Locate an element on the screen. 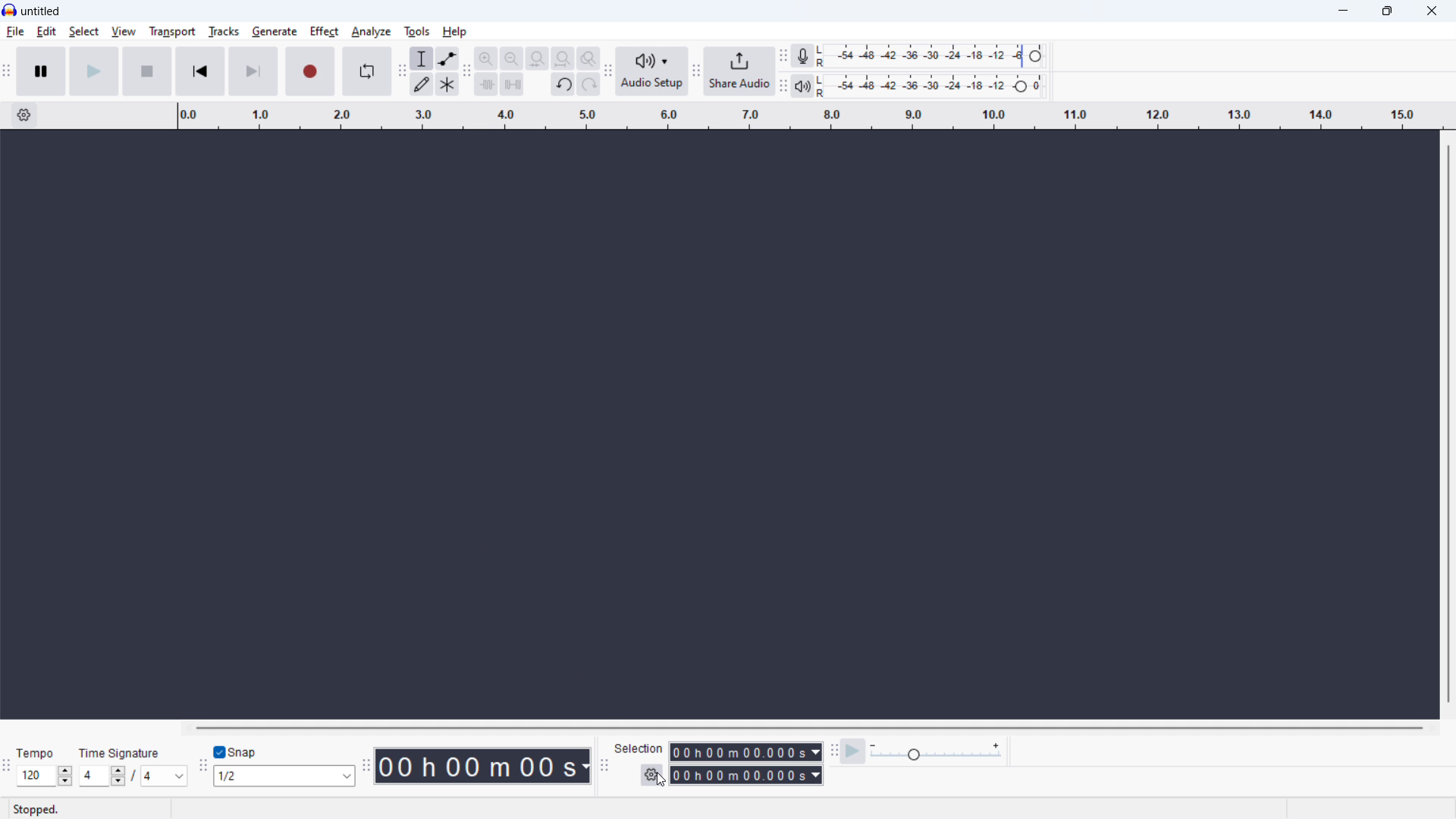 This screenshot has height=819, width=1456. time toolbar is located at coordinates (365, 767).